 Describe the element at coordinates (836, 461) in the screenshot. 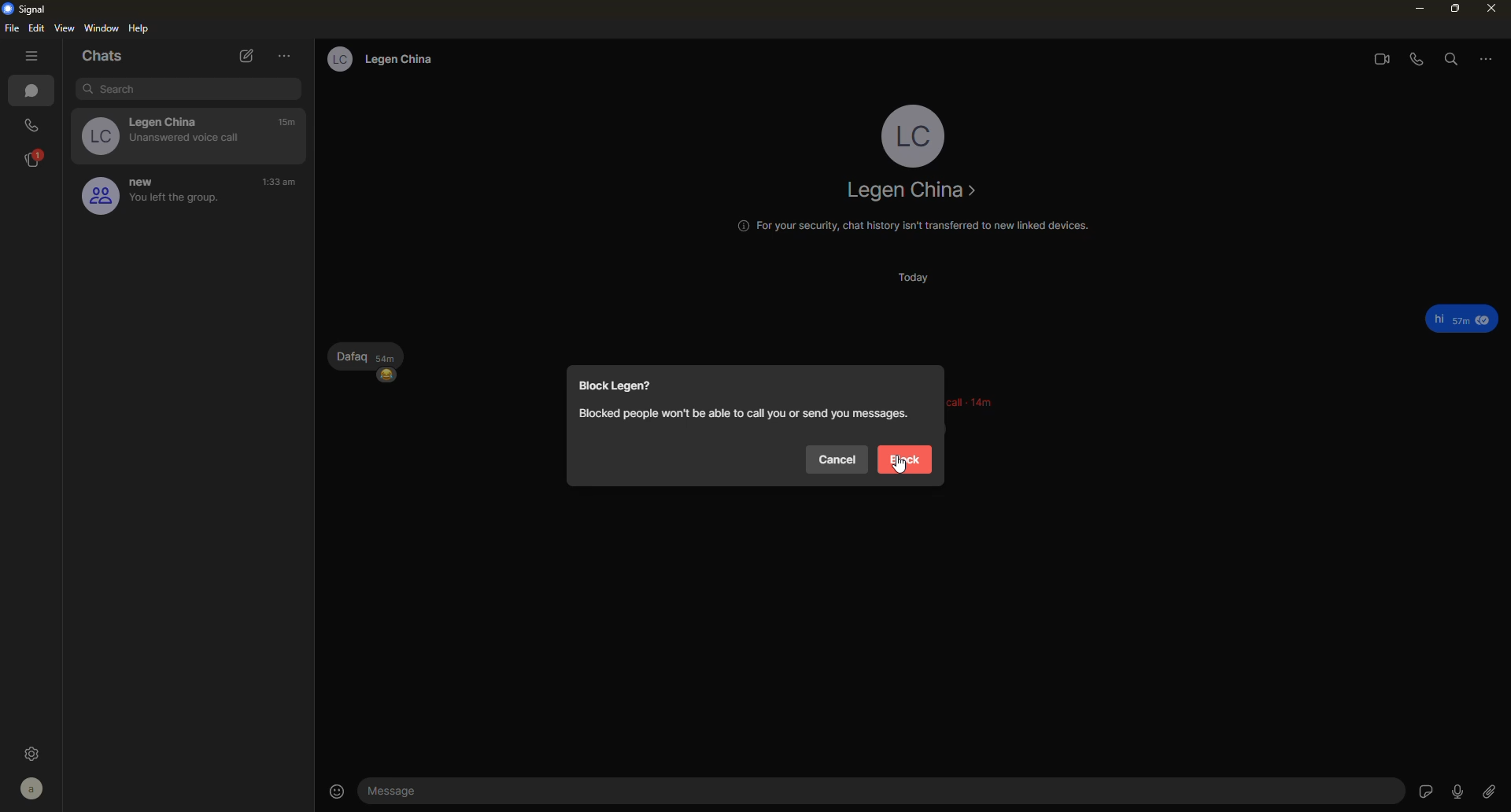

I see `cancel` at that location.